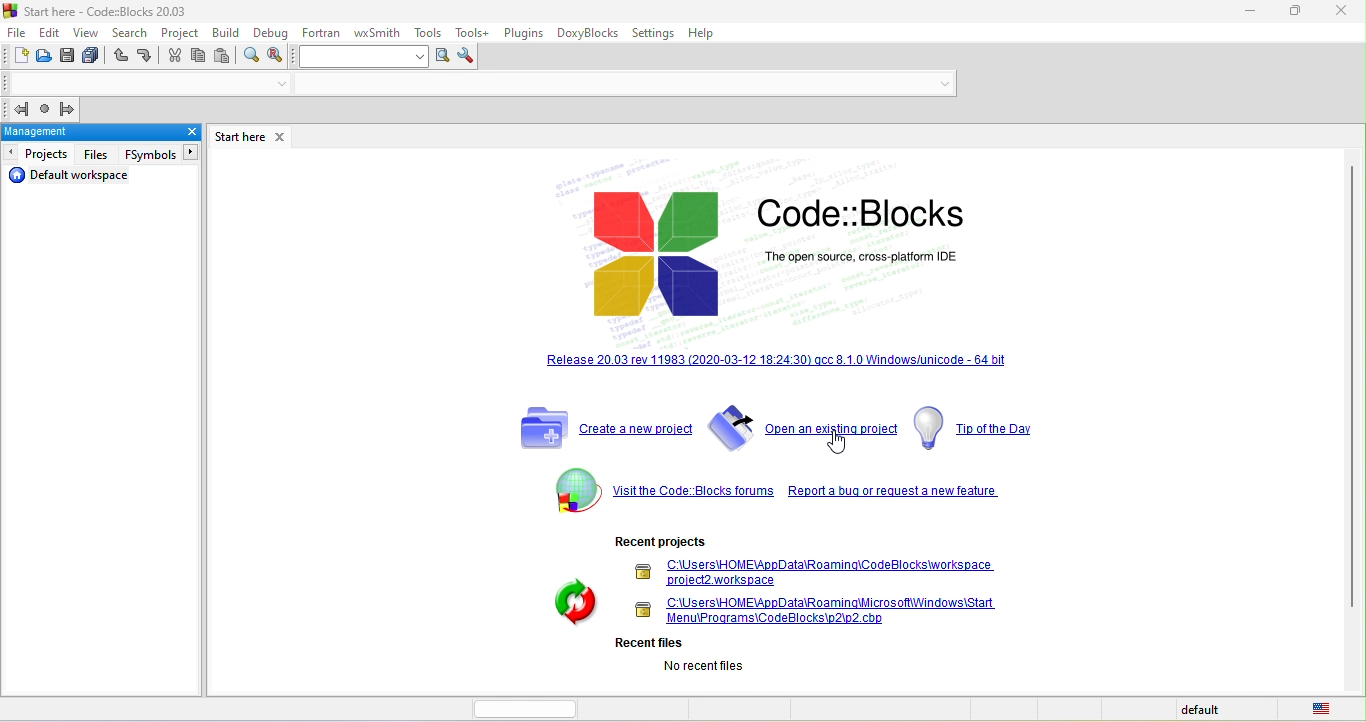  Describe the element at coordinates (48, 109) in the screenshot. I see `last jump` at that location.